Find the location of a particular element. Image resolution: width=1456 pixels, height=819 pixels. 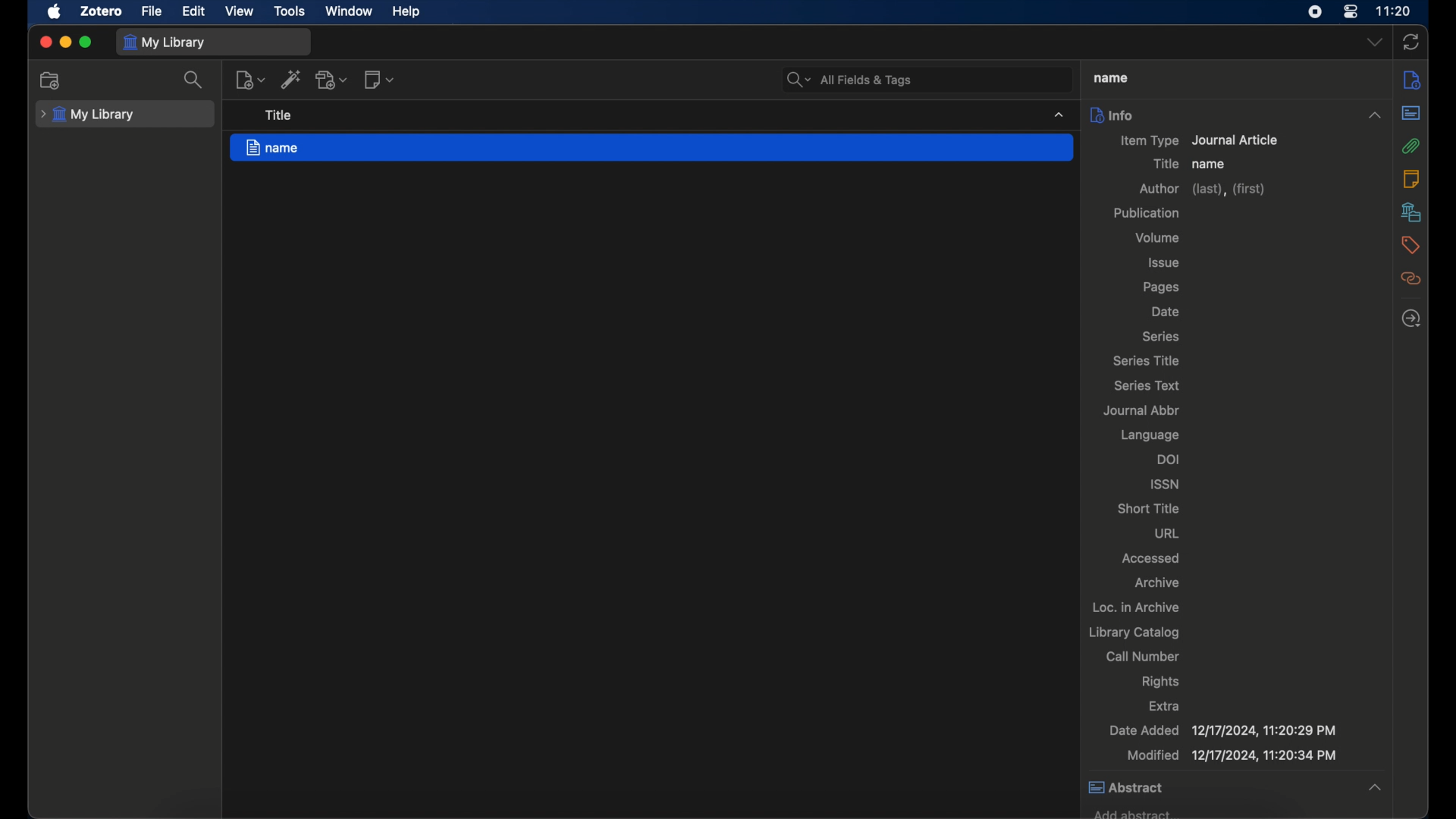

title is located at coordinates (1163, 163).